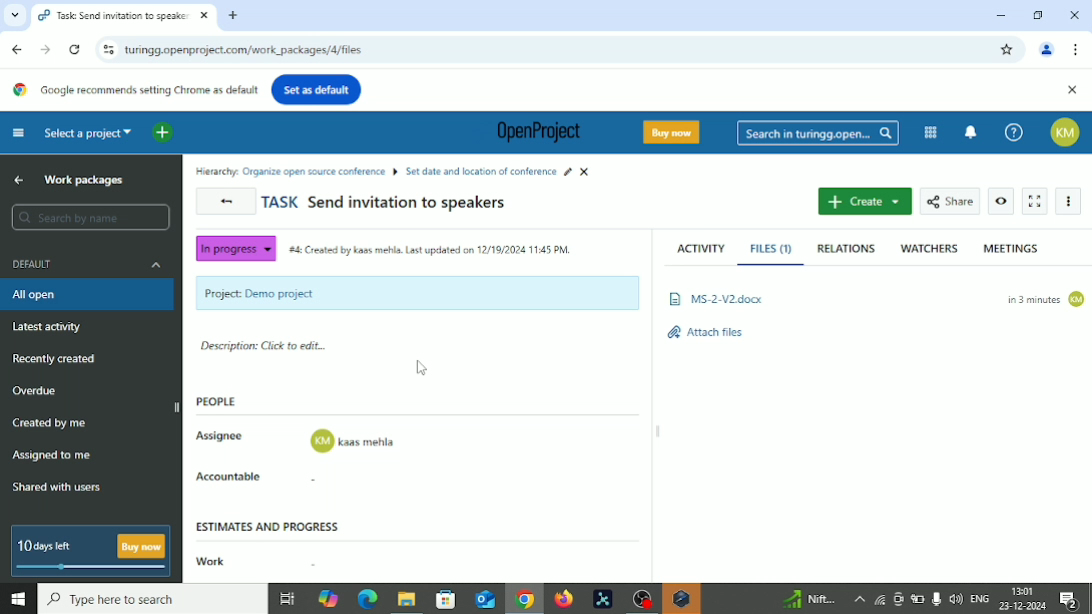  Describe the element at coordinates (178, 406) in the screenshot. I see `hide sidebar` at that location.